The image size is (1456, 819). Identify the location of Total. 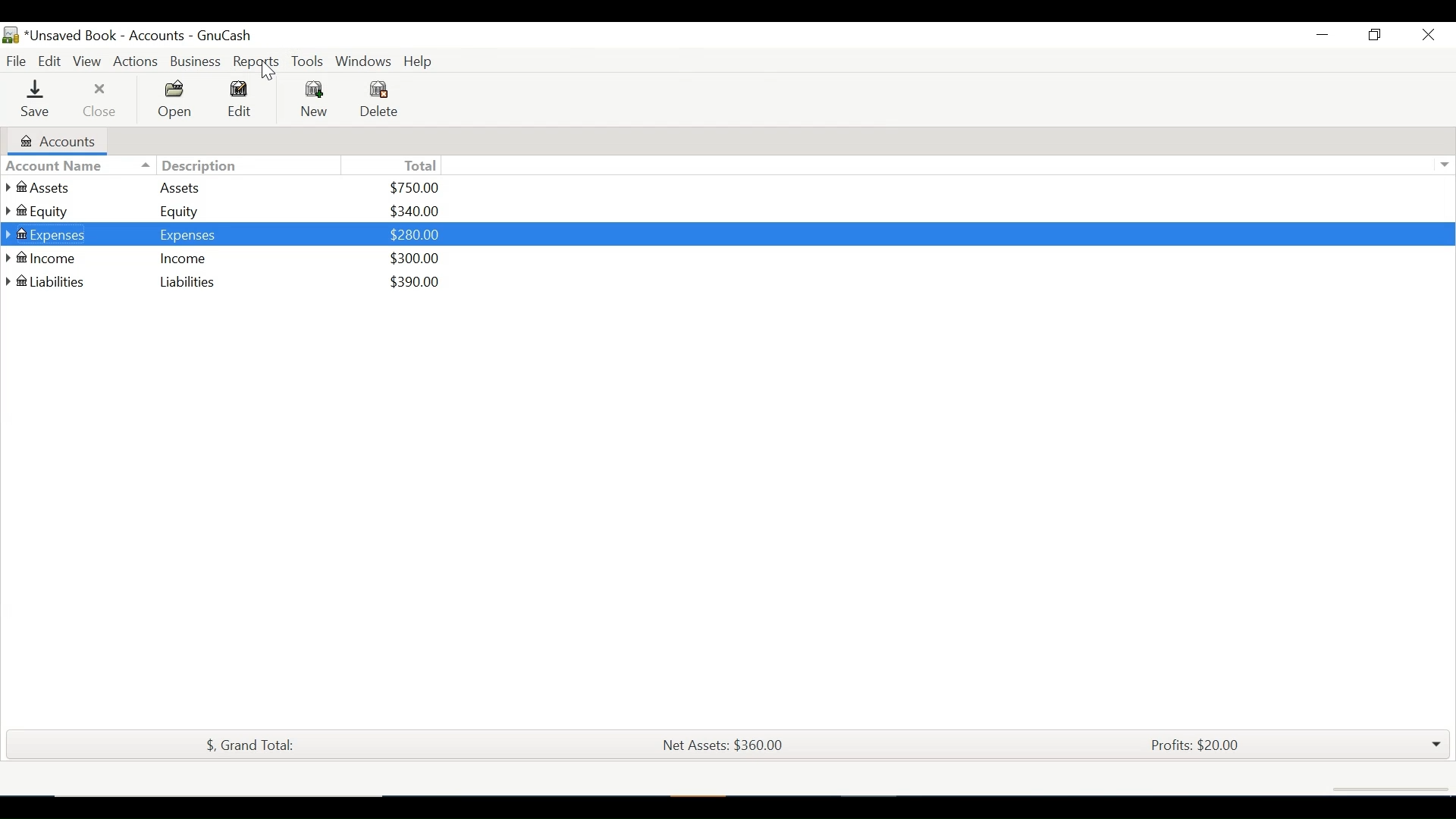
(413, 165).